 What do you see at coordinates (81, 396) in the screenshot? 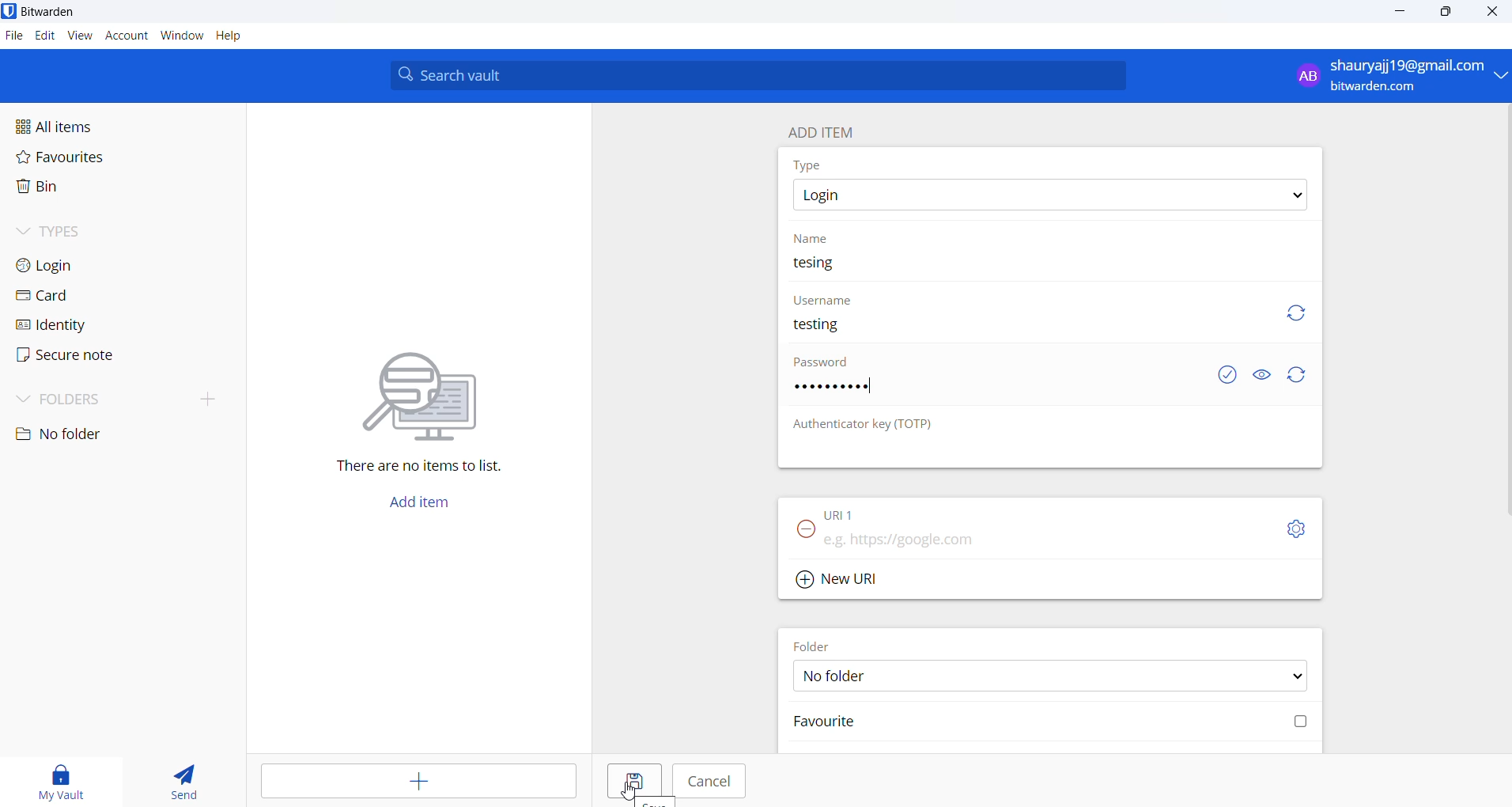
I see `Folders` at bounding box center [81, 396].